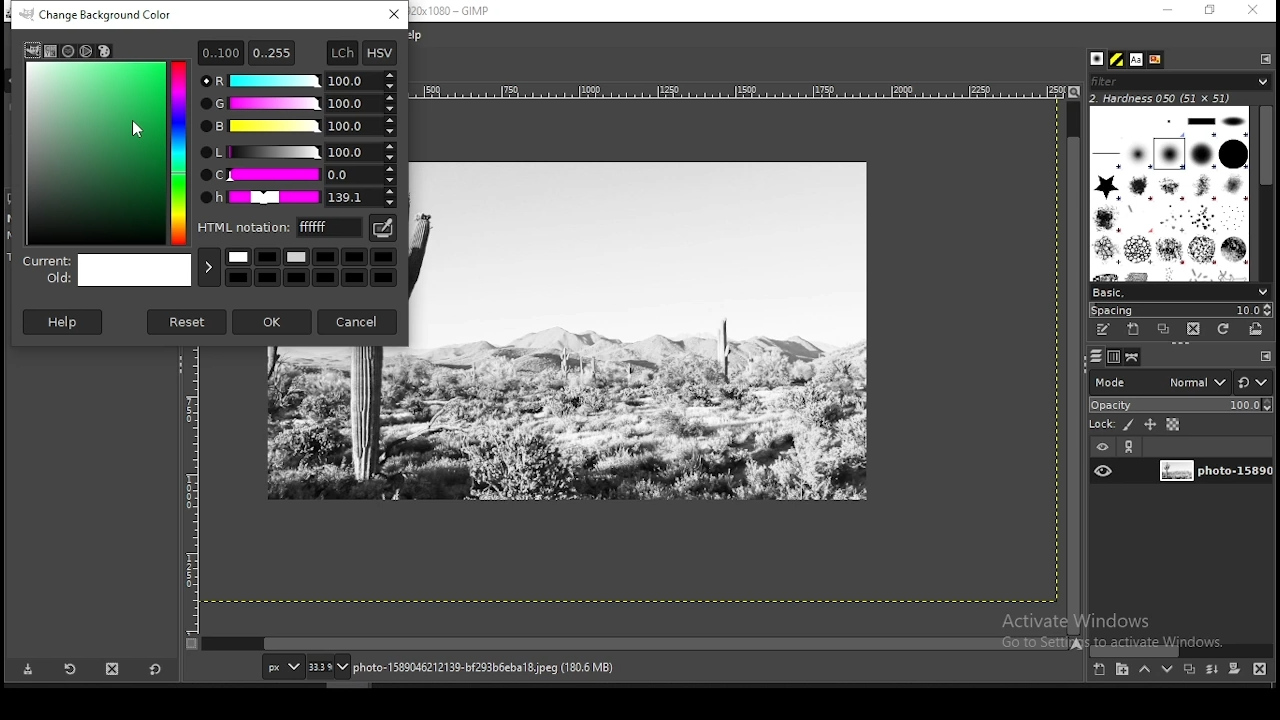 Image resolution: width=1280 pixels, height=720 pixels. I want to click on channels, so click(1116, 357).